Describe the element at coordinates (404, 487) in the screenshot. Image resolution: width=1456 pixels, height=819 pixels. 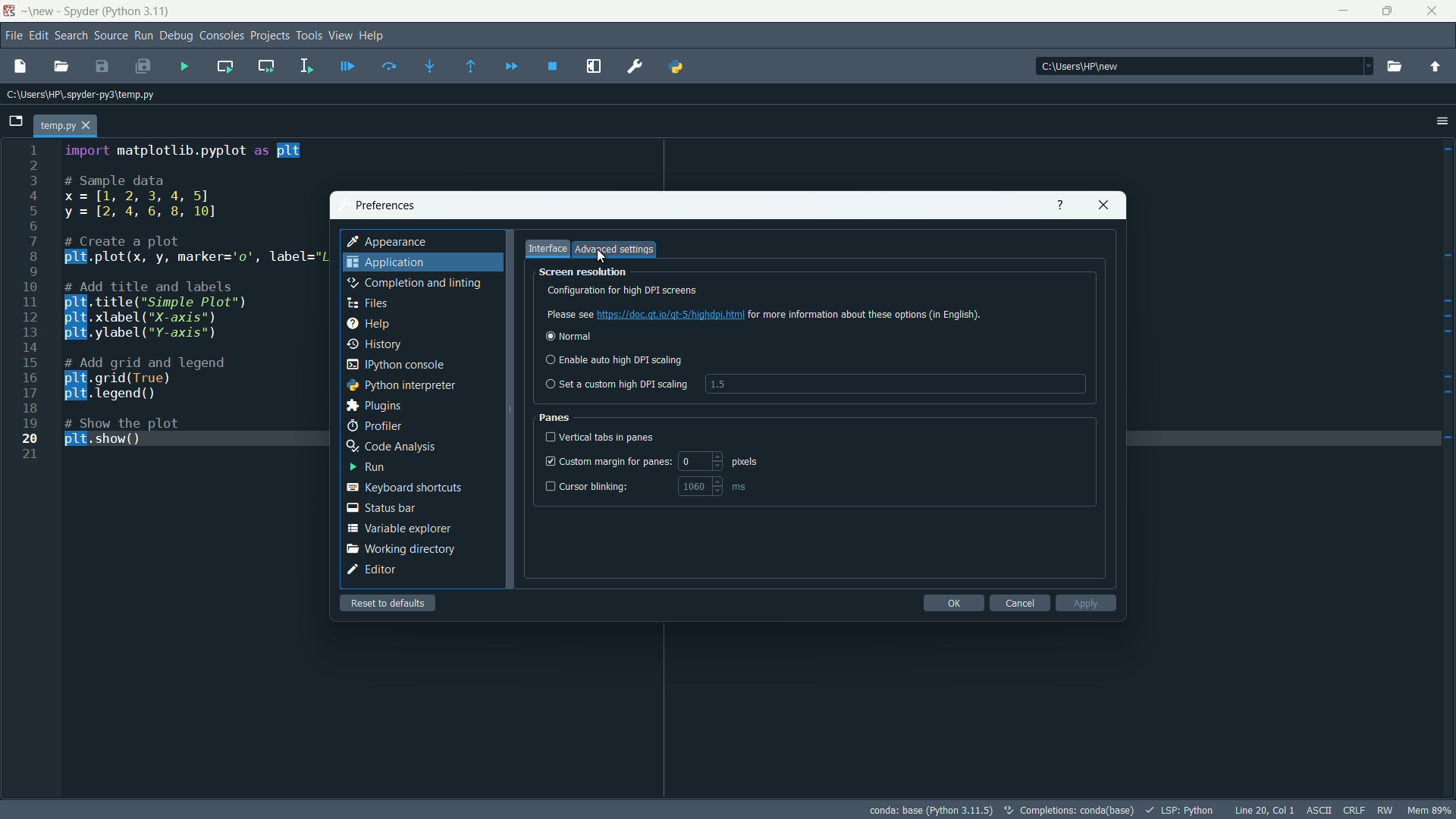
I see `keyboard shortcuts` at that location.